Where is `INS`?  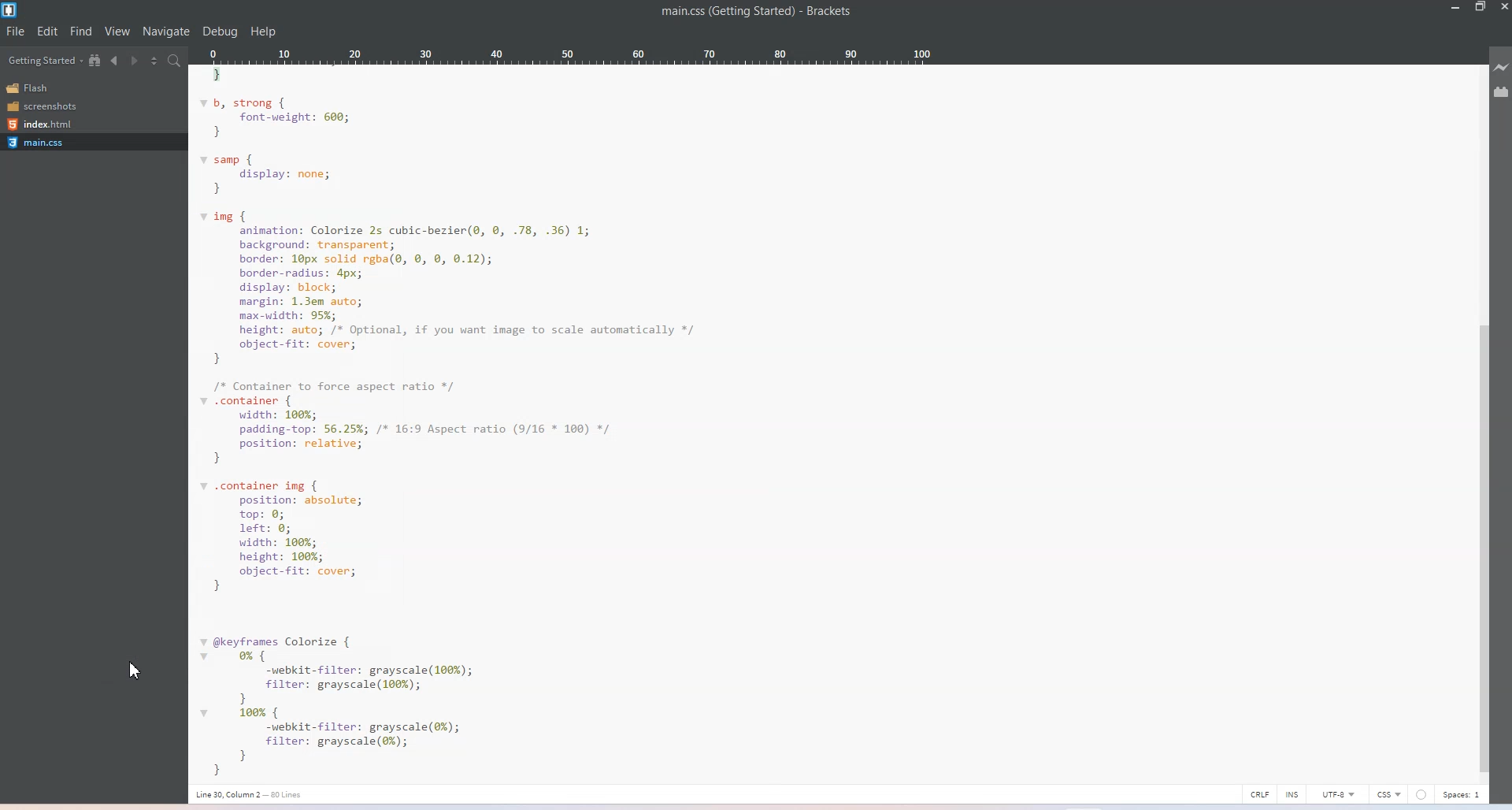 INS is located at coordinates (1291, 793).